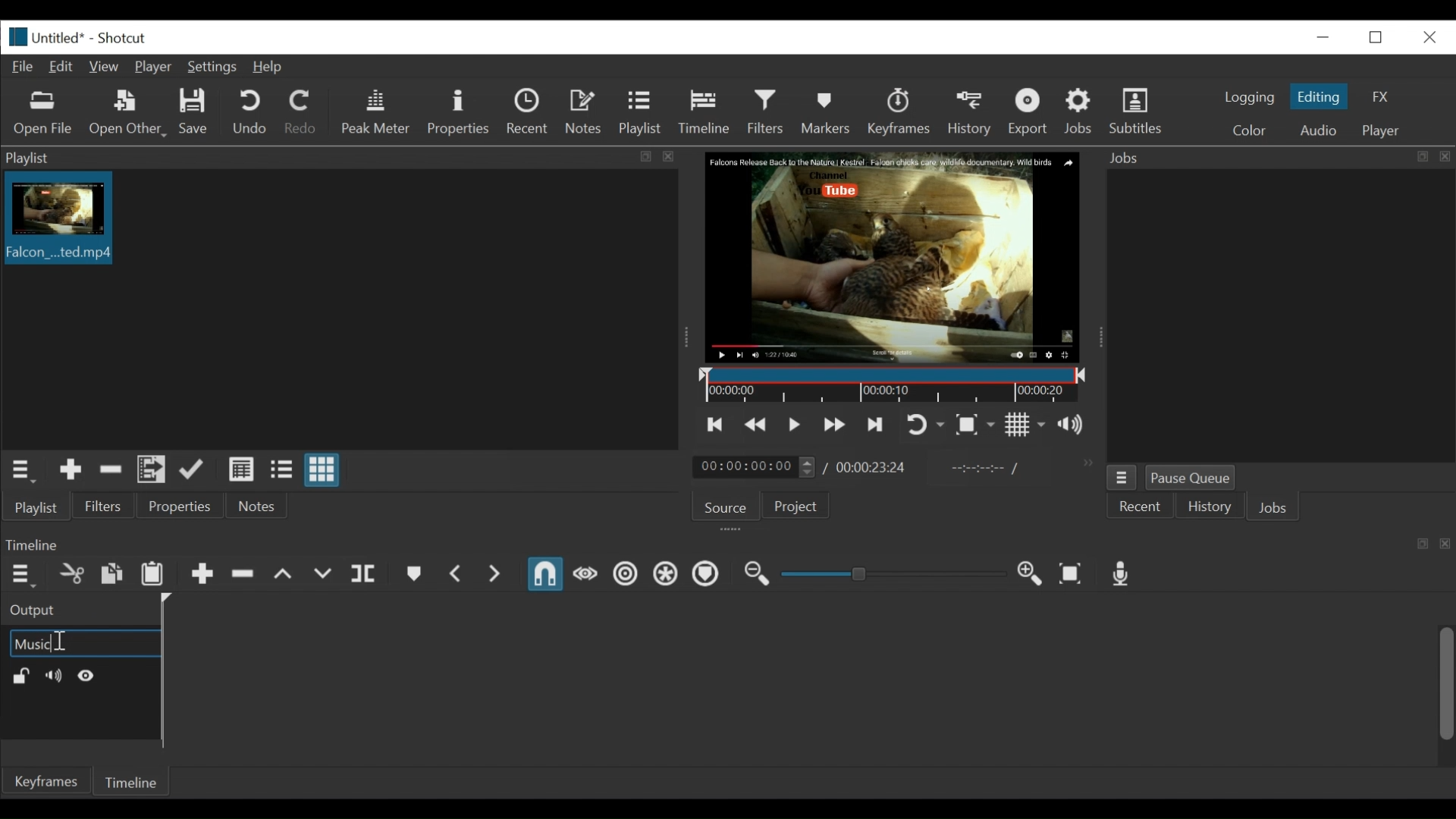  I want to click on Update, so click(195, 470).